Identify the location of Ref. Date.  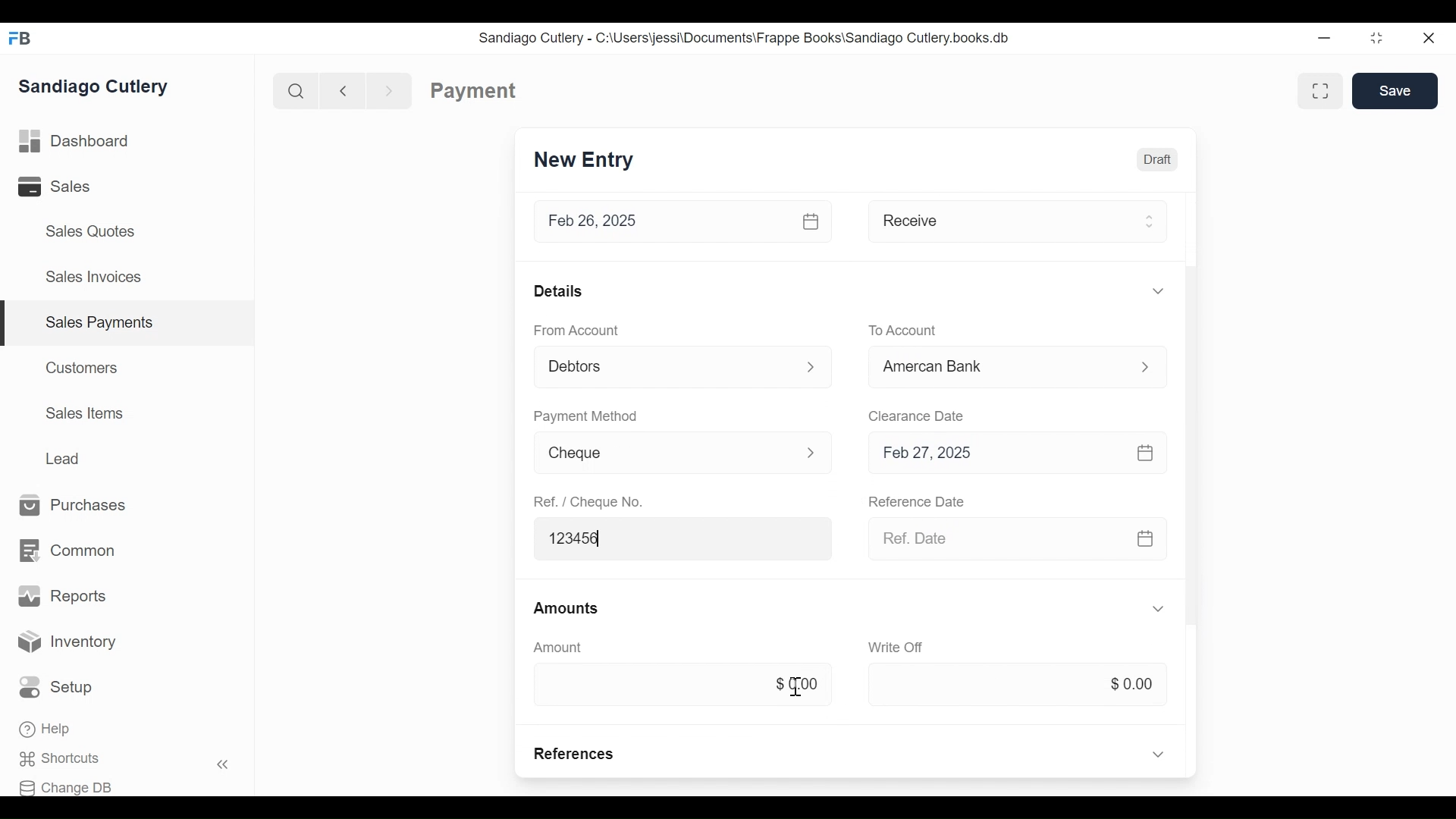
(993, 538).